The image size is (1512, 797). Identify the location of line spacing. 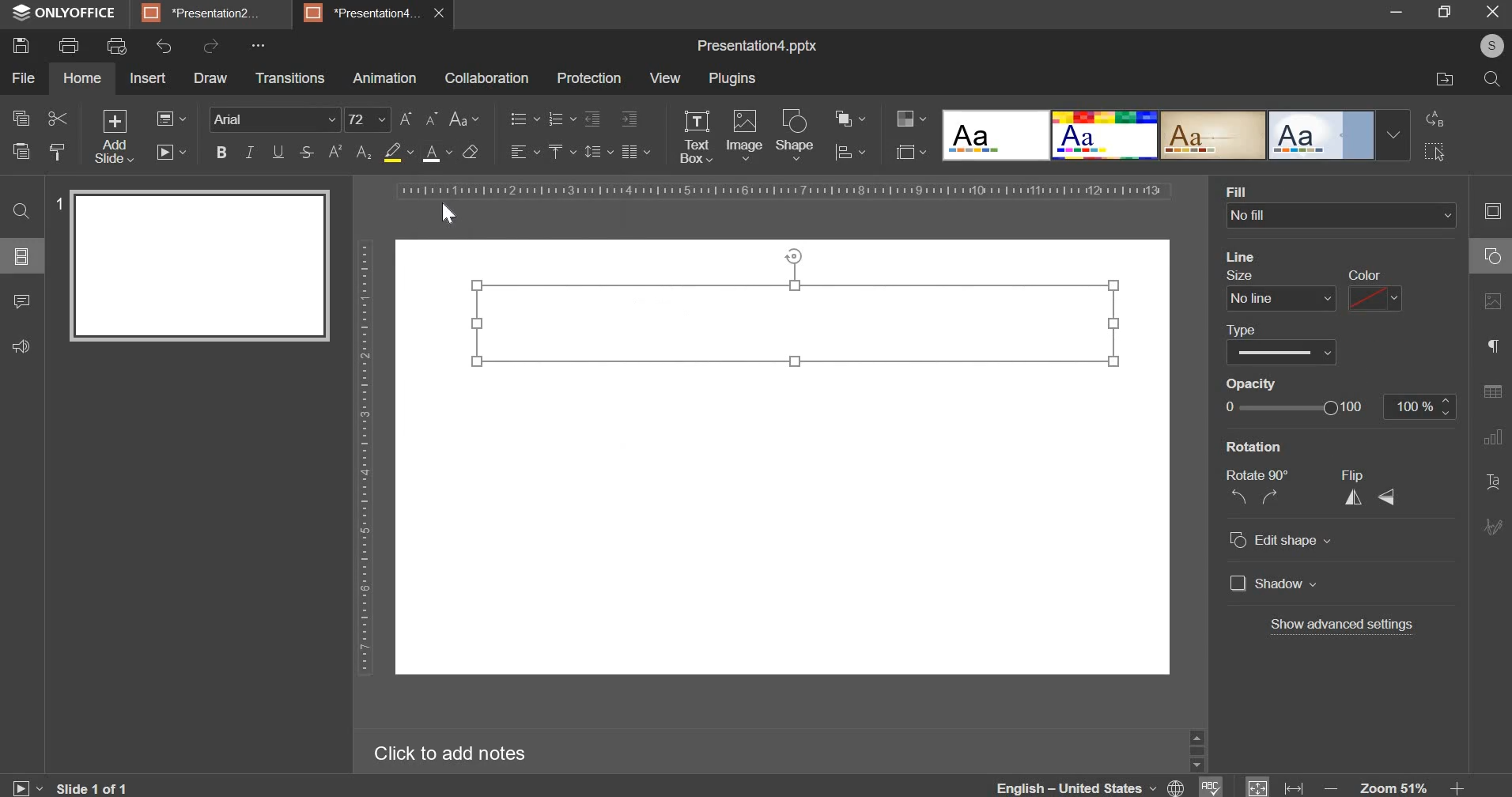
(599, 152).